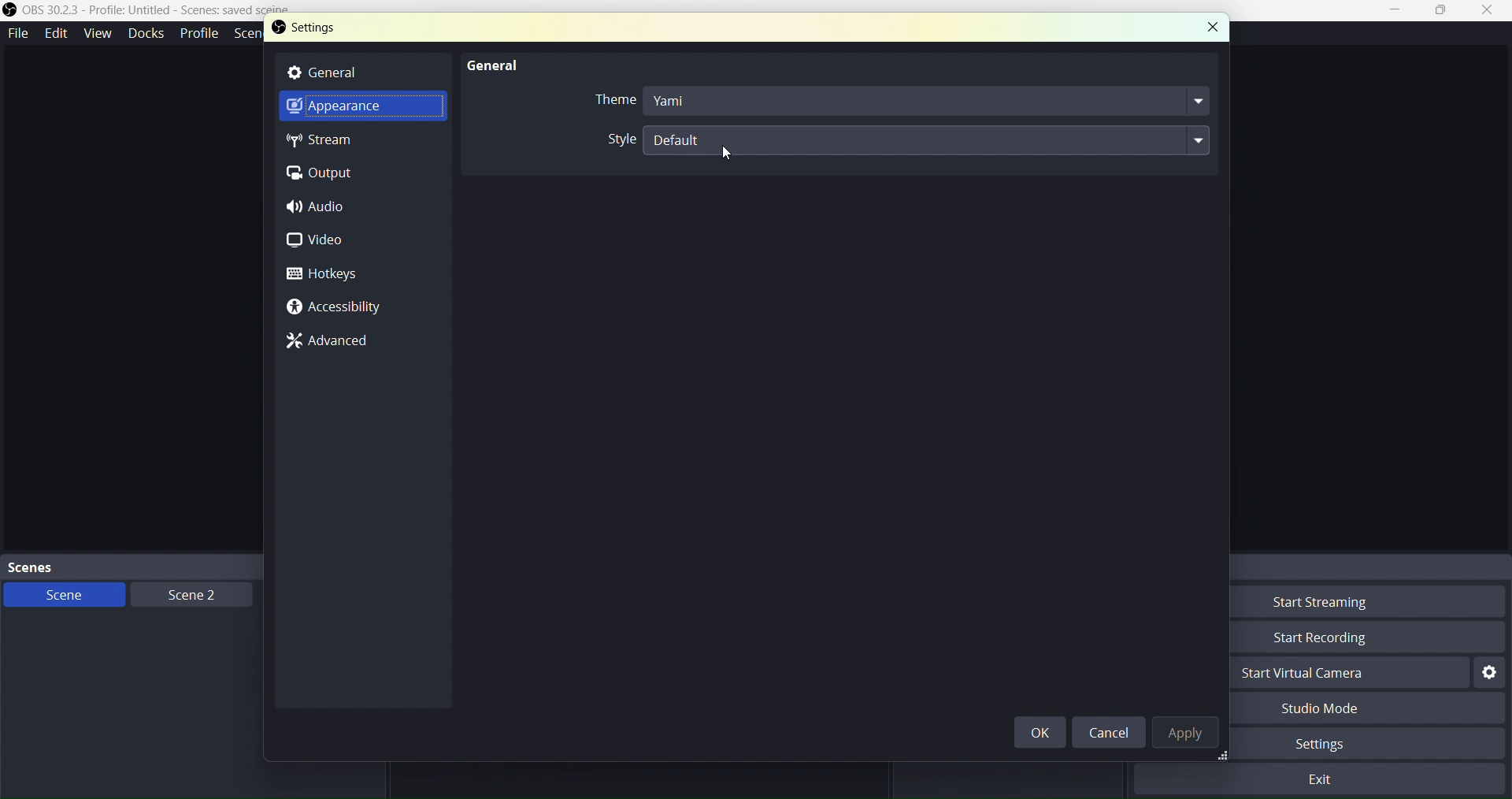 The height and width of the screenshot is (799, 1512). Describe the element at coordinates (899, 102) in the screenshot. I see `Theme` at that location.